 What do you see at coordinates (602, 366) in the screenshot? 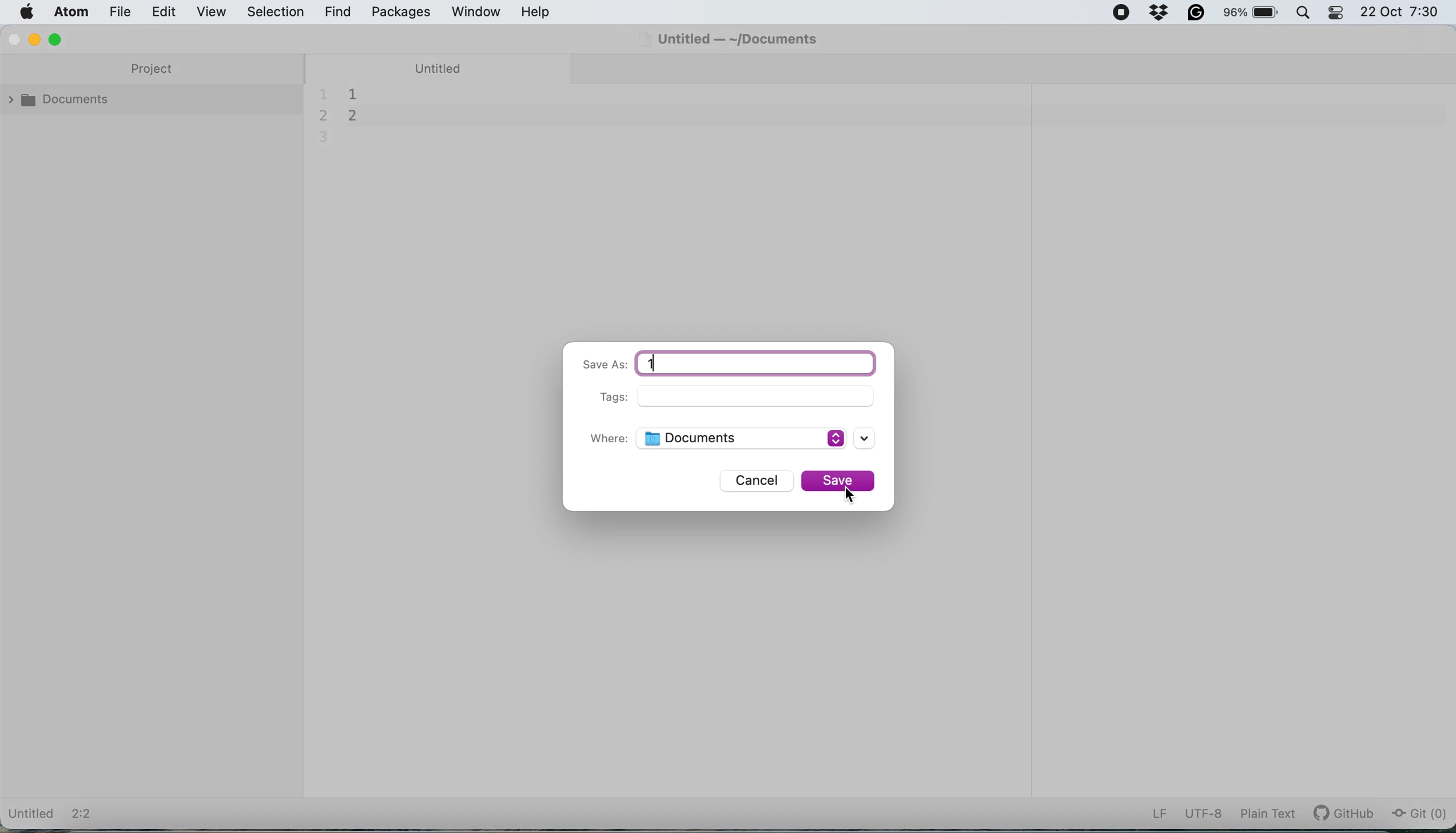
I see `i Save As:` at bounding box center [602, 366].